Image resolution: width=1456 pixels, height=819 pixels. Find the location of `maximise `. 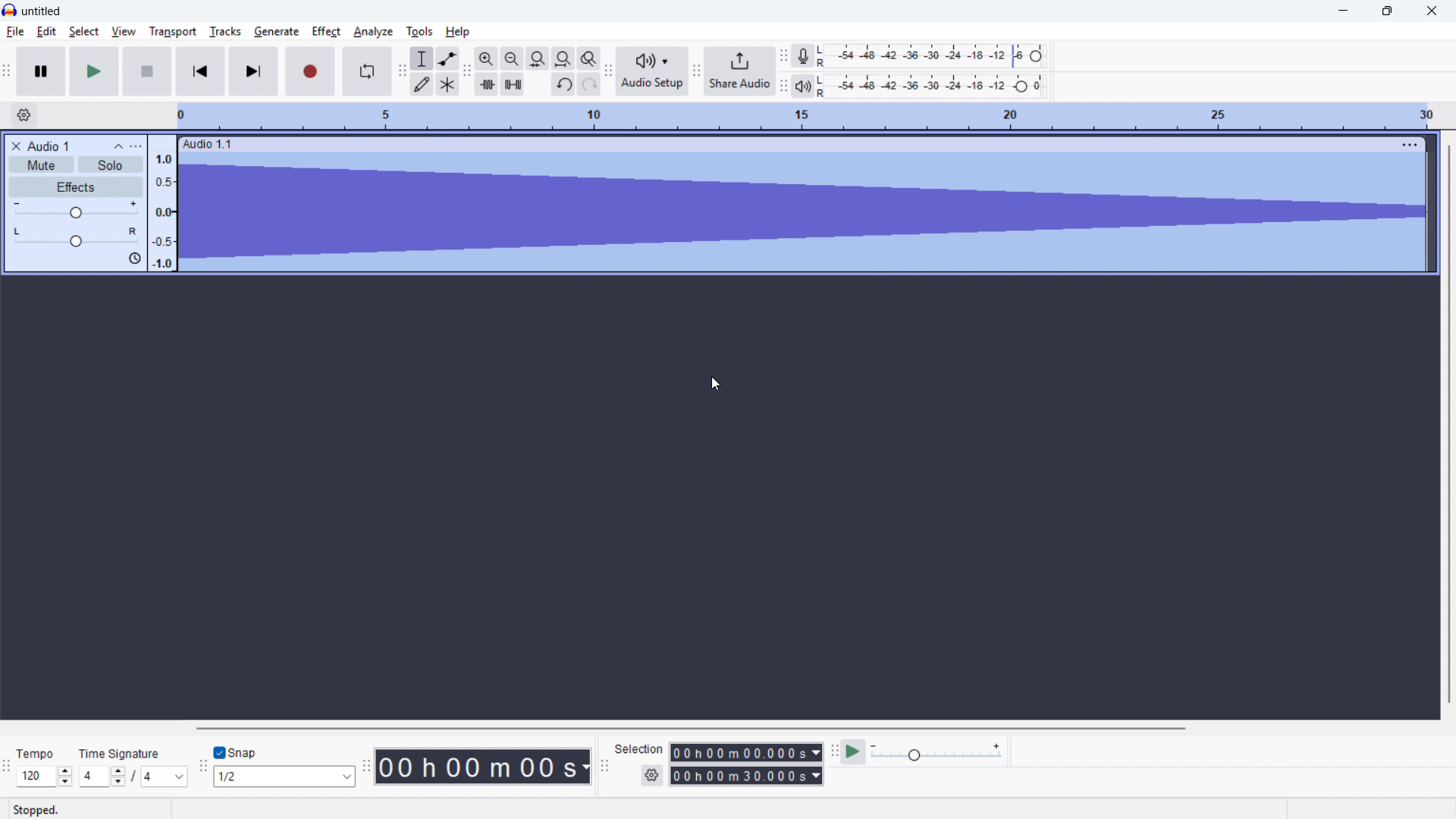

maximise  is located at coordinates (1389, 11).